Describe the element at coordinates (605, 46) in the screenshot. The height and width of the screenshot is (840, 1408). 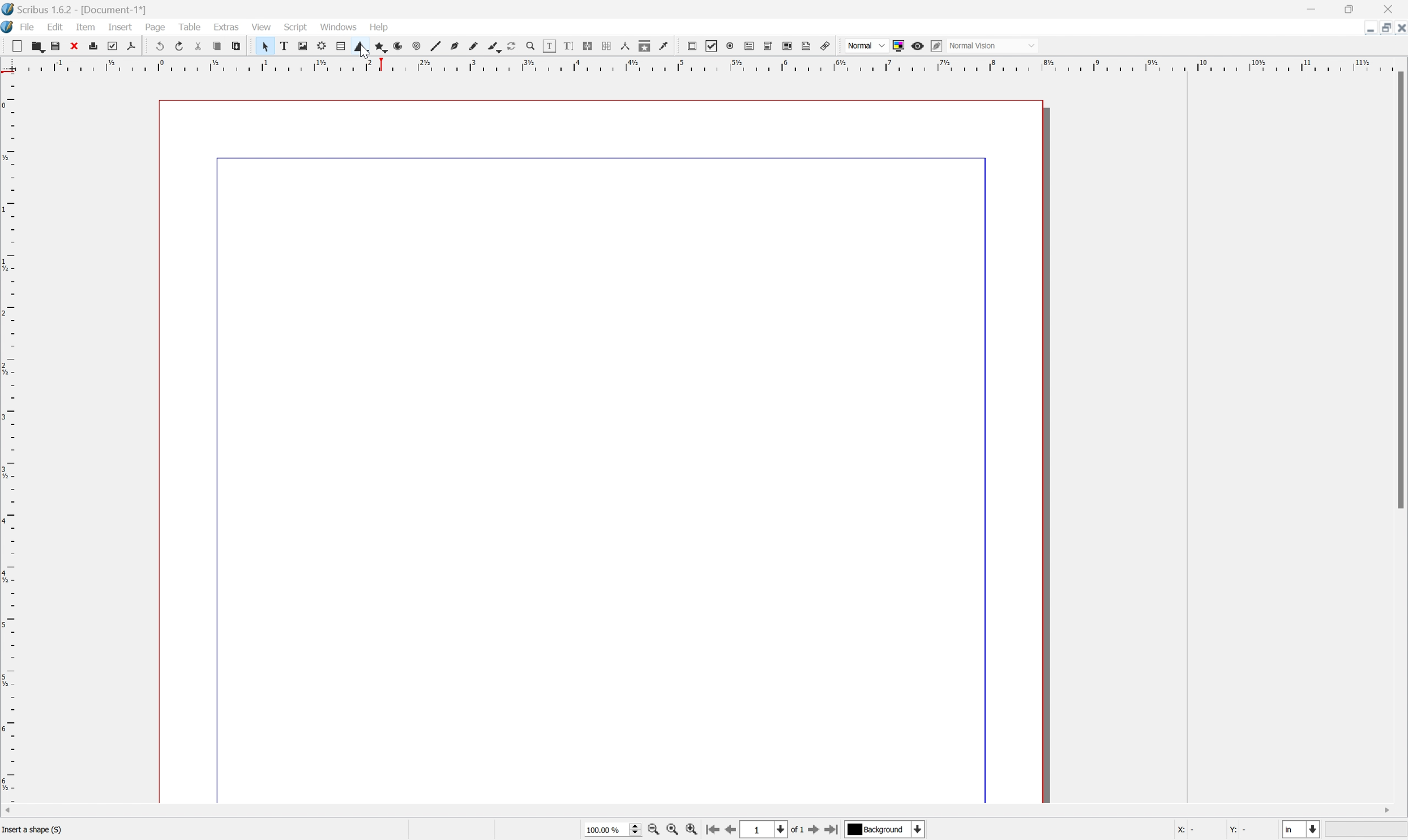
I see `Unlink Text frames` at that location.